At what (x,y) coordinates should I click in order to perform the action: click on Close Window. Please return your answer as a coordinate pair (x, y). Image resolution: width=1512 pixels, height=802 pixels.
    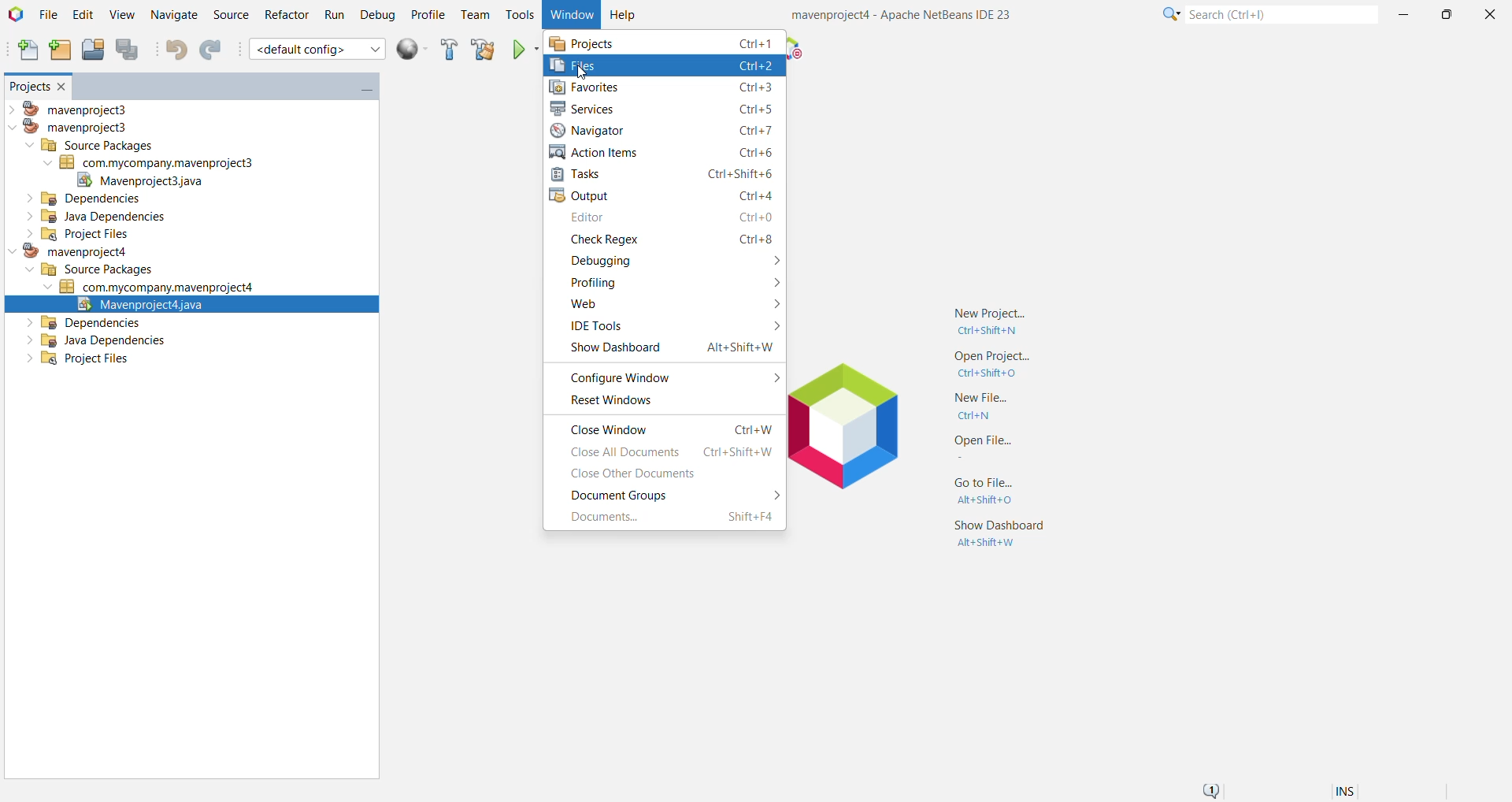
    Looking at the image, I should click on (673, 429).